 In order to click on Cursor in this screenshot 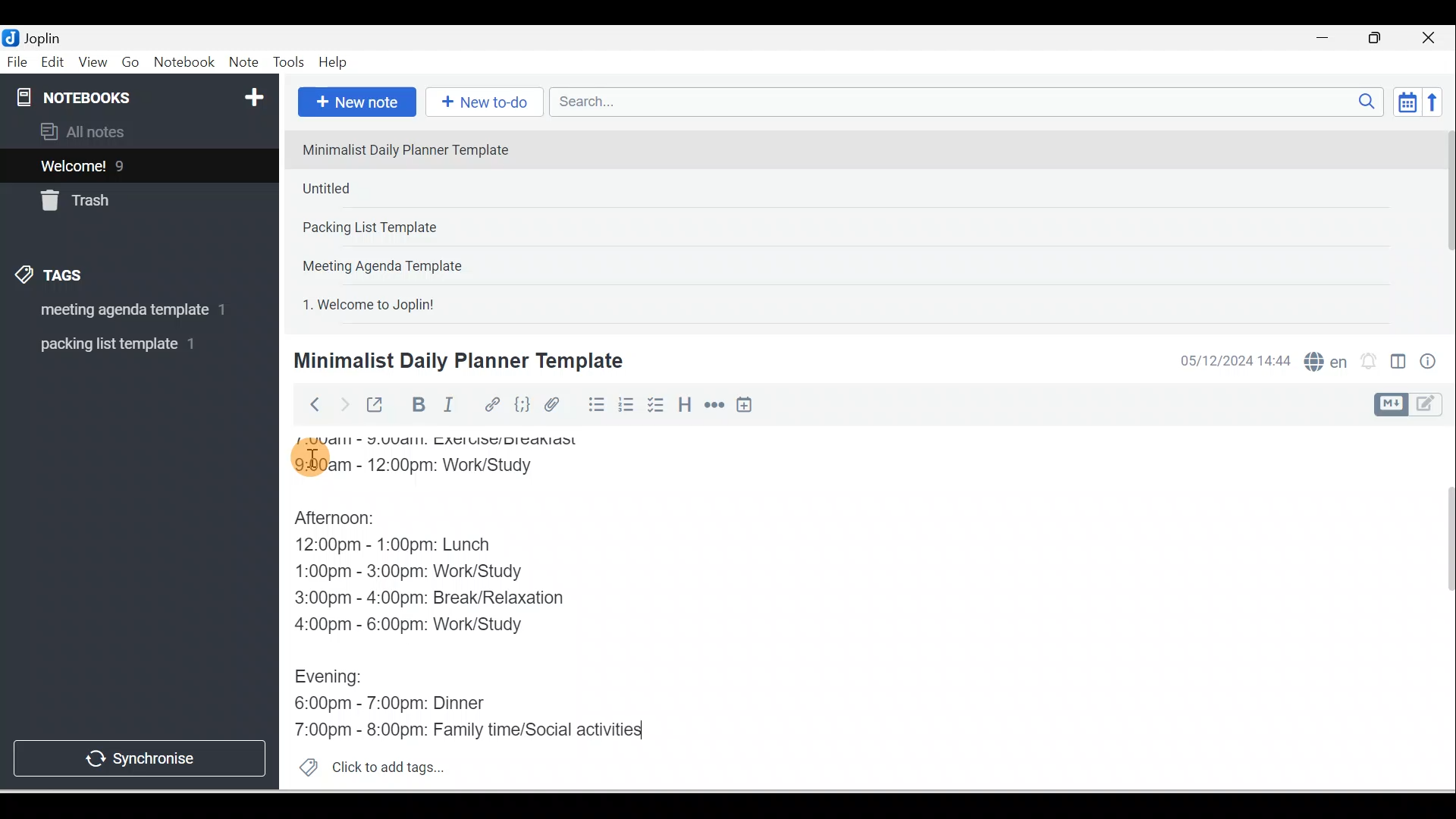, I will do `click(311, 455)`.